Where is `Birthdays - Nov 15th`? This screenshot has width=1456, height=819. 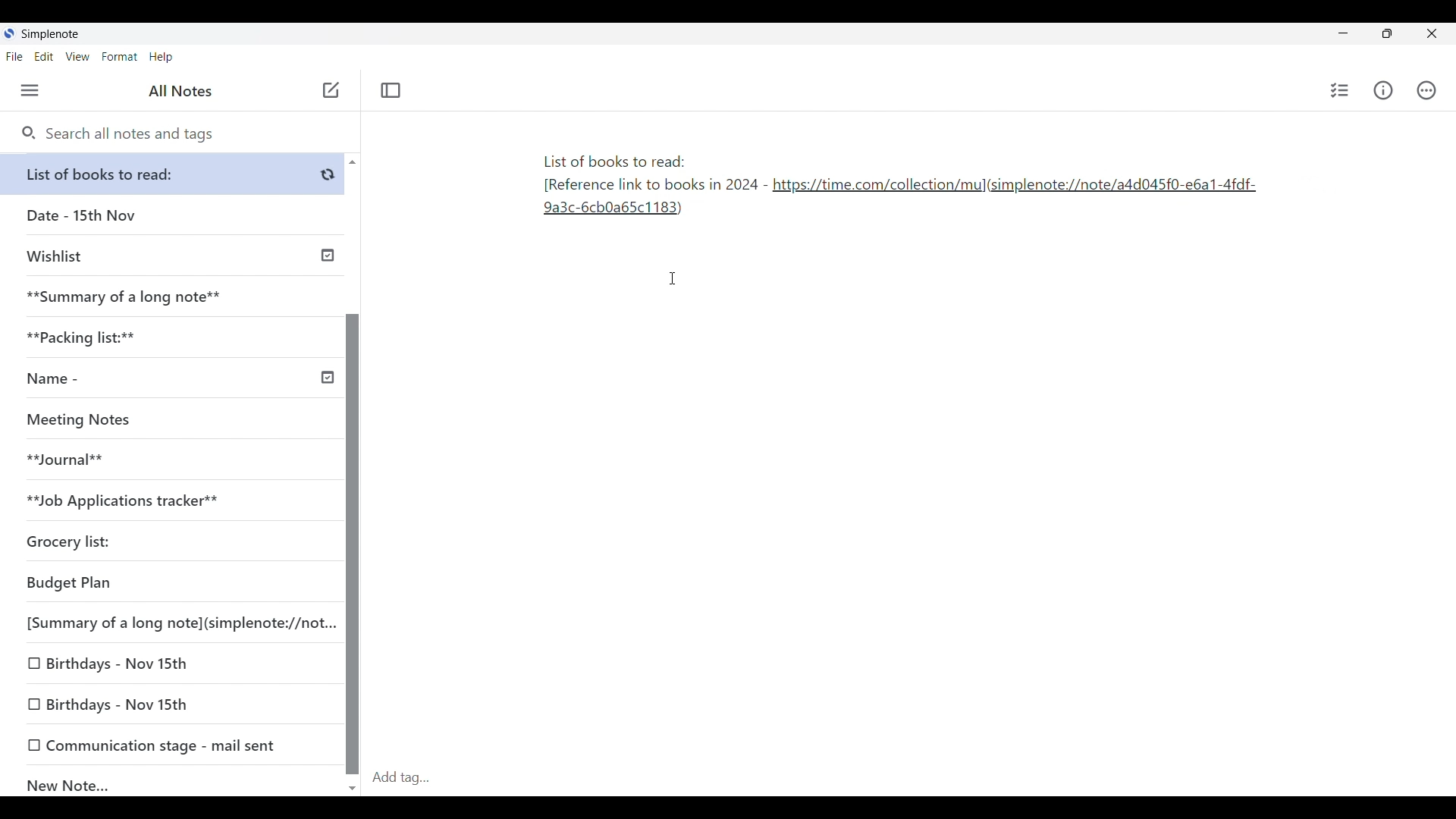
Birthdays - Nov 15th is located at coordinates (171, 664).